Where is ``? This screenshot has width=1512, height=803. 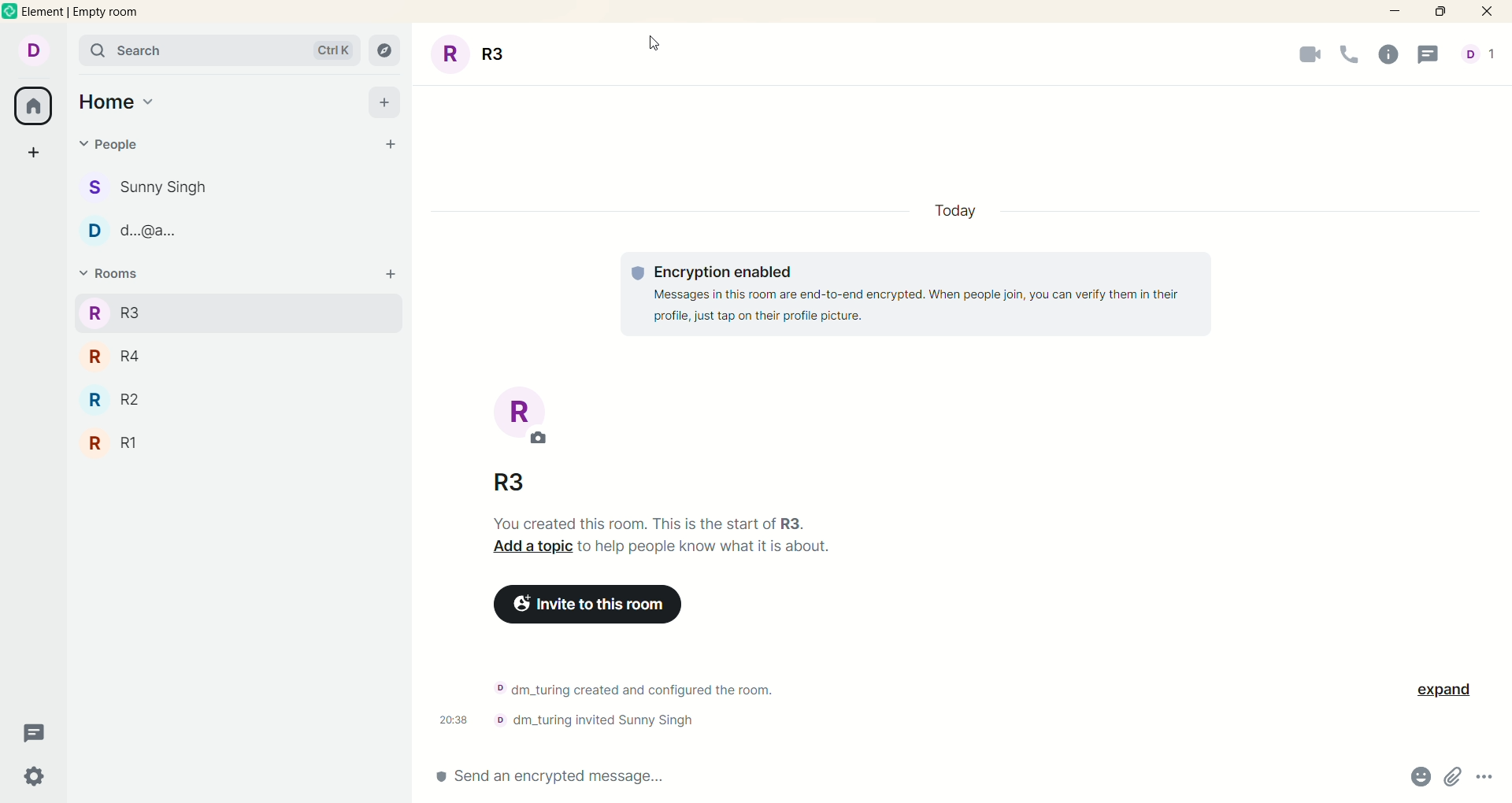  is located at coordinates (591, 723).